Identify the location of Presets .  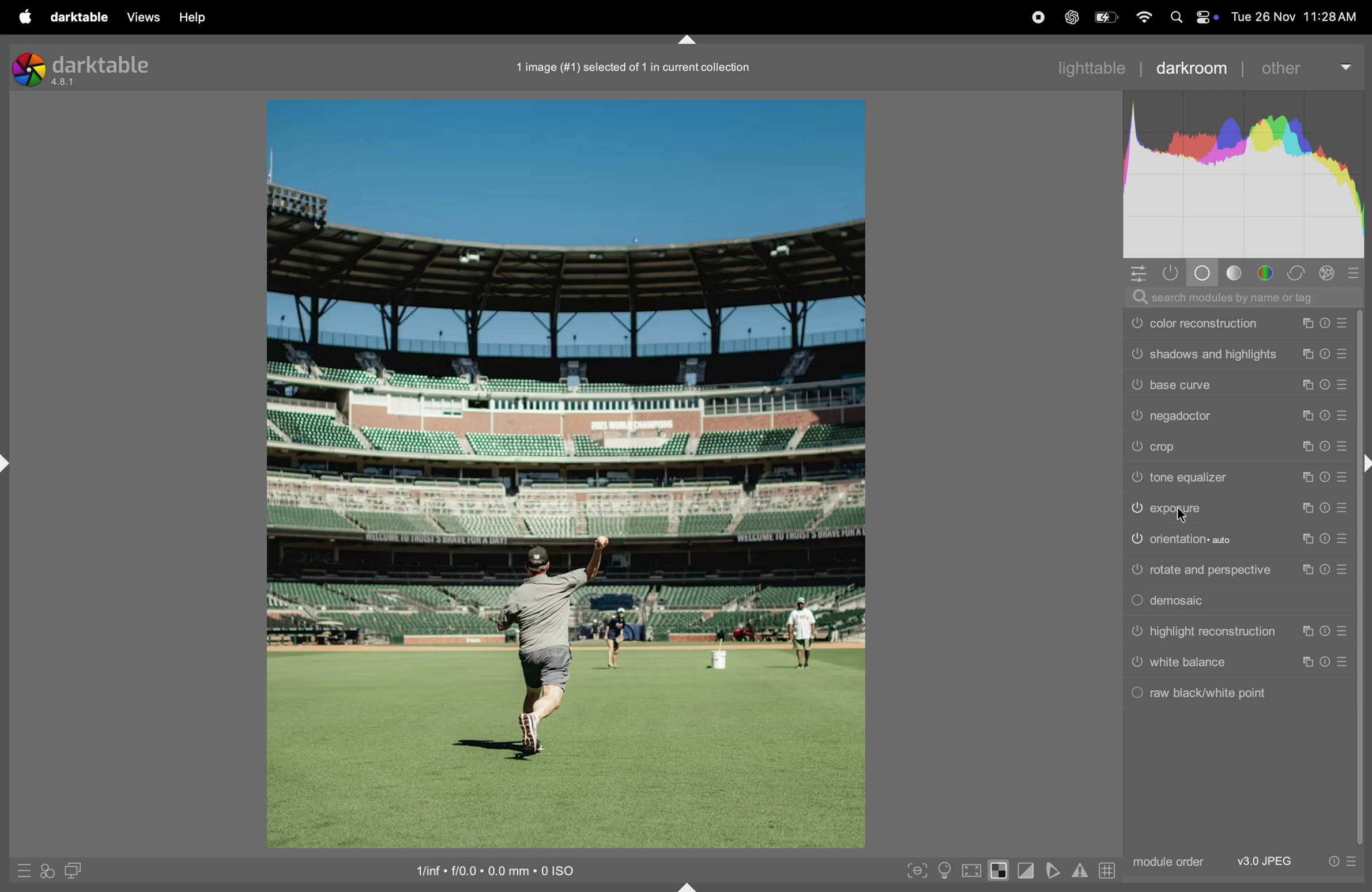
(1345, 628).